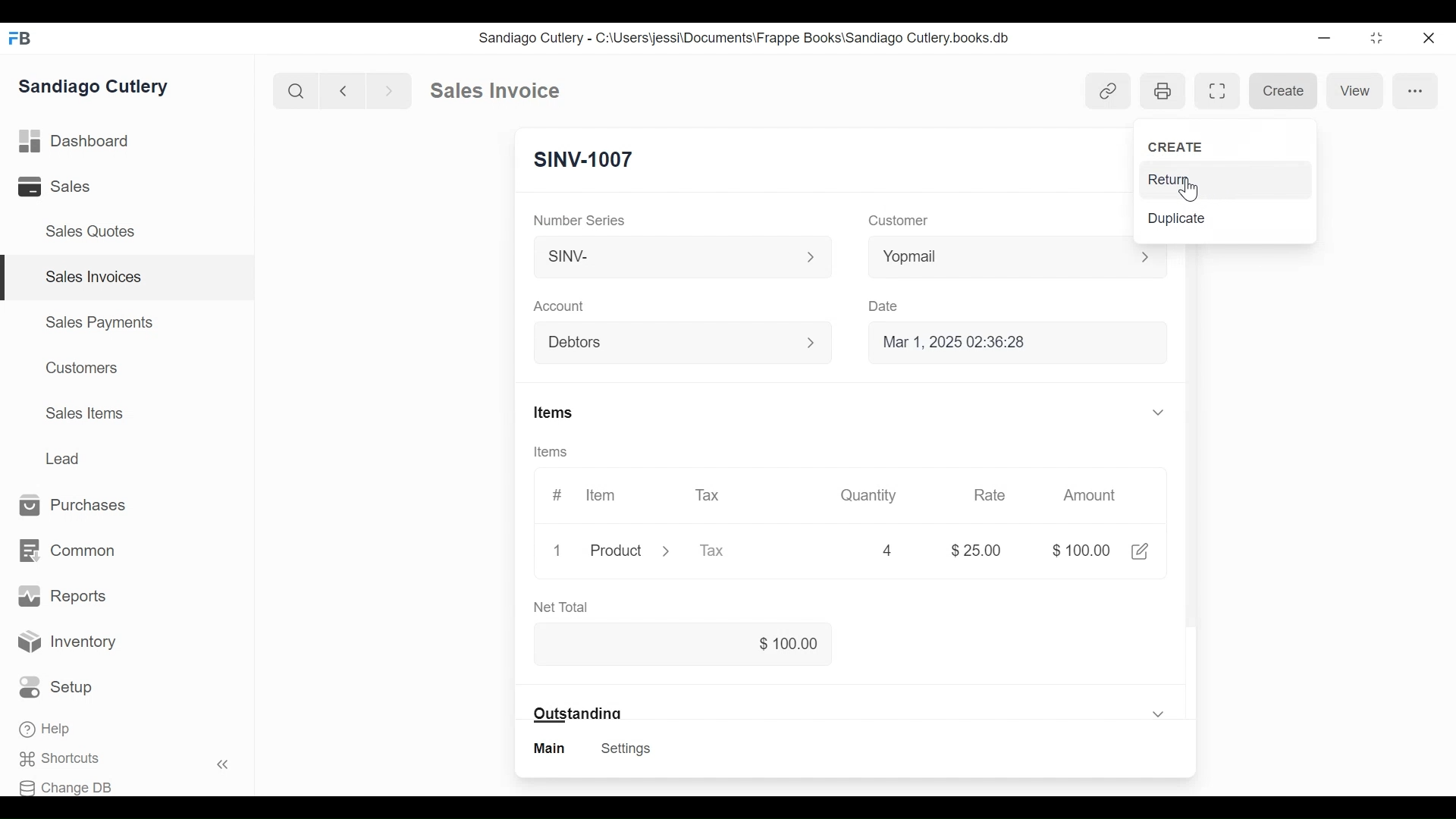  I want to click on Sales Items, so click(84, 413).